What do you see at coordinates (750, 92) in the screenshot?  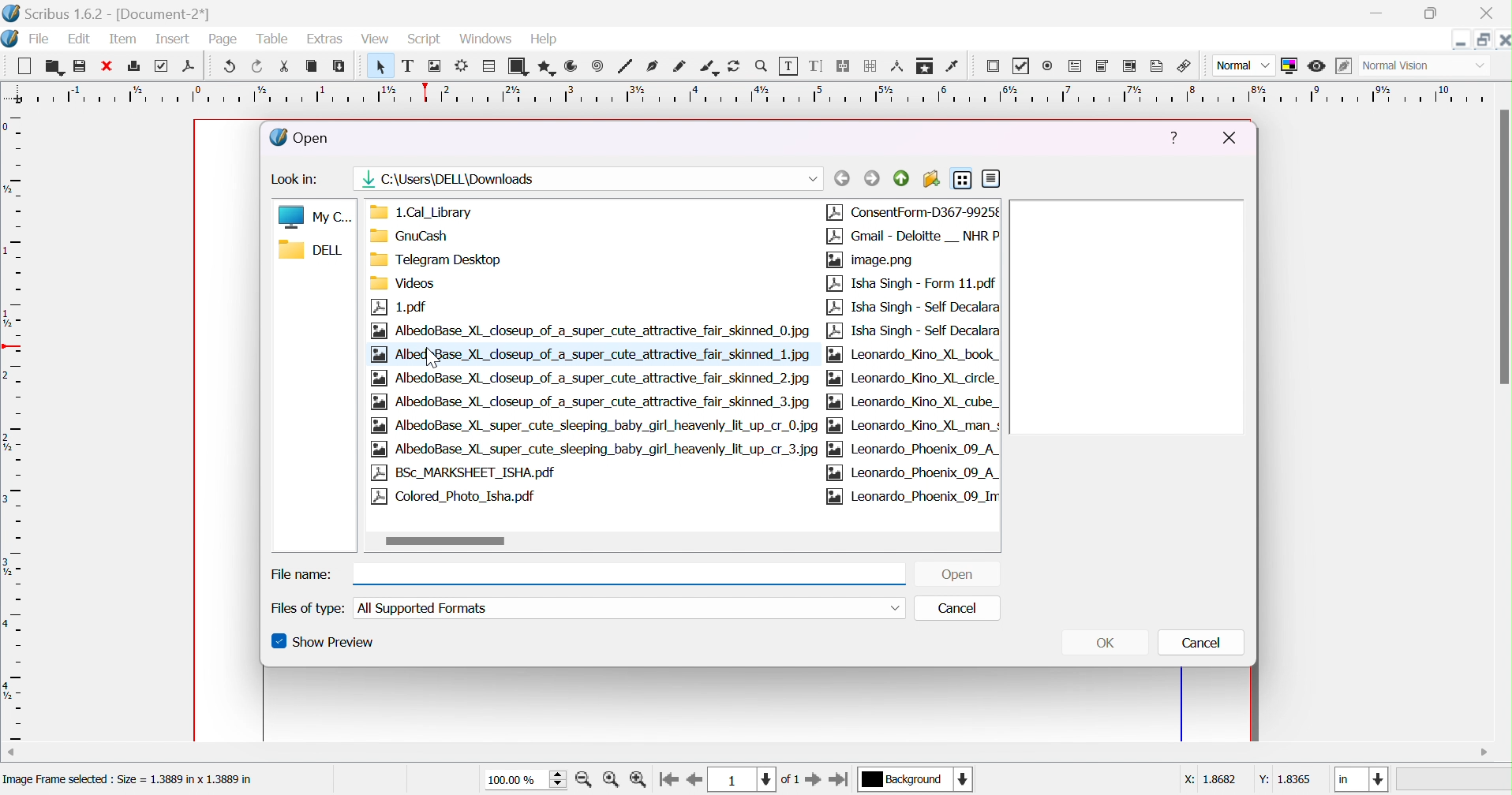 I see `ruler` at bounding box center [750, 92].